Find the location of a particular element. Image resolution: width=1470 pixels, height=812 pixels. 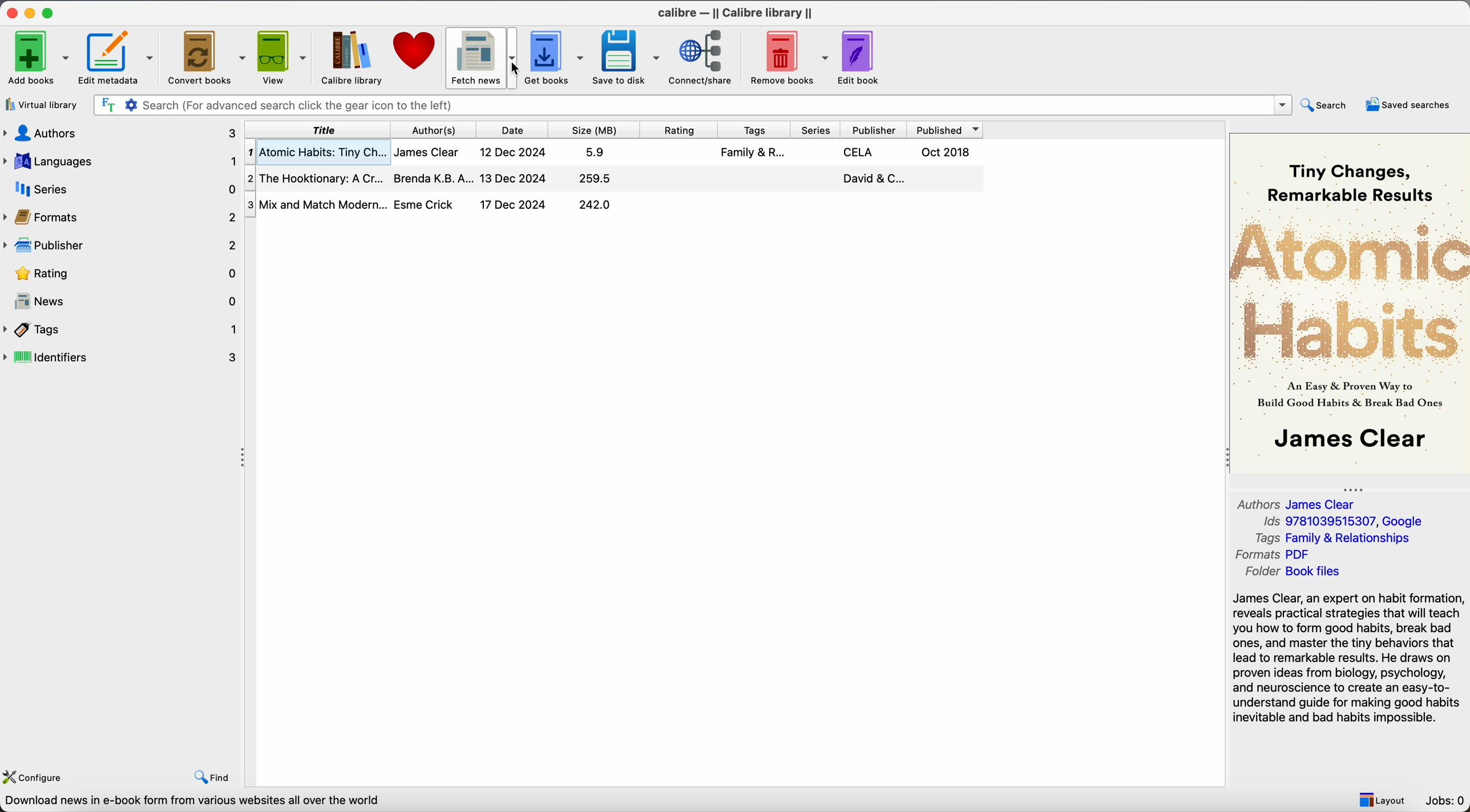

Oct 2018 is located at coordinates (947, 152).